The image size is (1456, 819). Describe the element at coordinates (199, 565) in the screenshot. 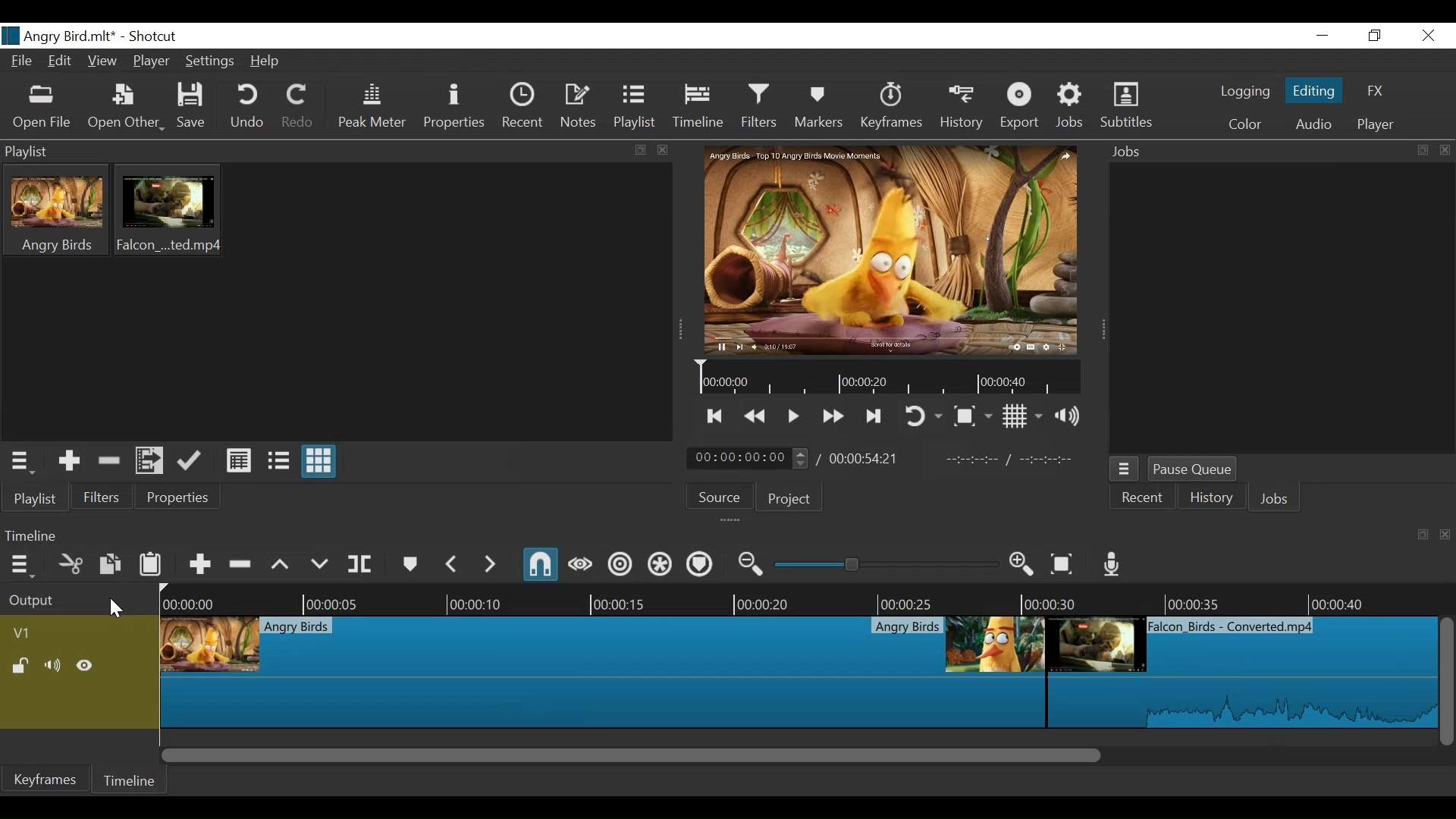

I see `Append` at that location.